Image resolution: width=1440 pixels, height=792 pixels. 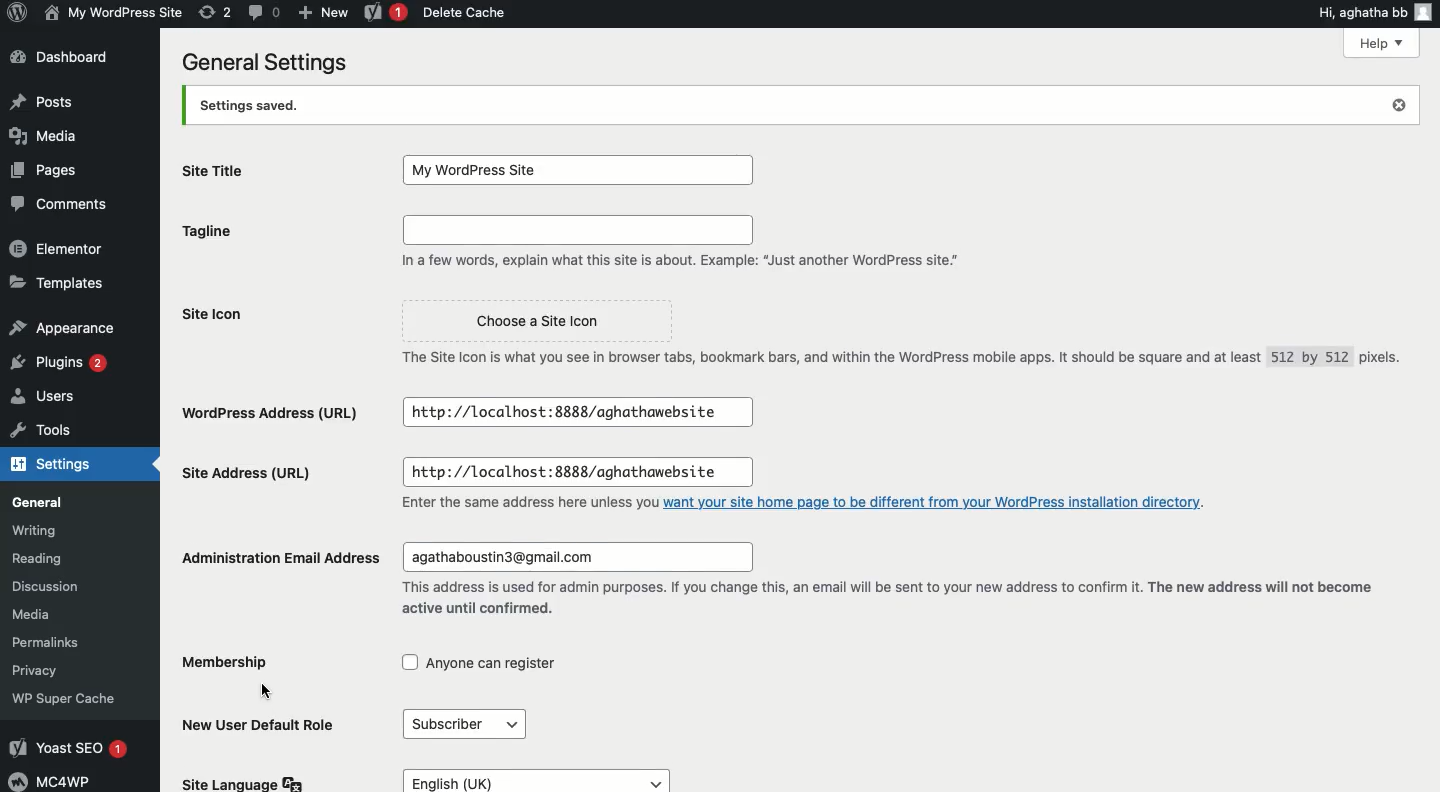 What do you see at coordinates (223, 175) in the screenshot?
I see `Site title` at bounding box center [223, 175].